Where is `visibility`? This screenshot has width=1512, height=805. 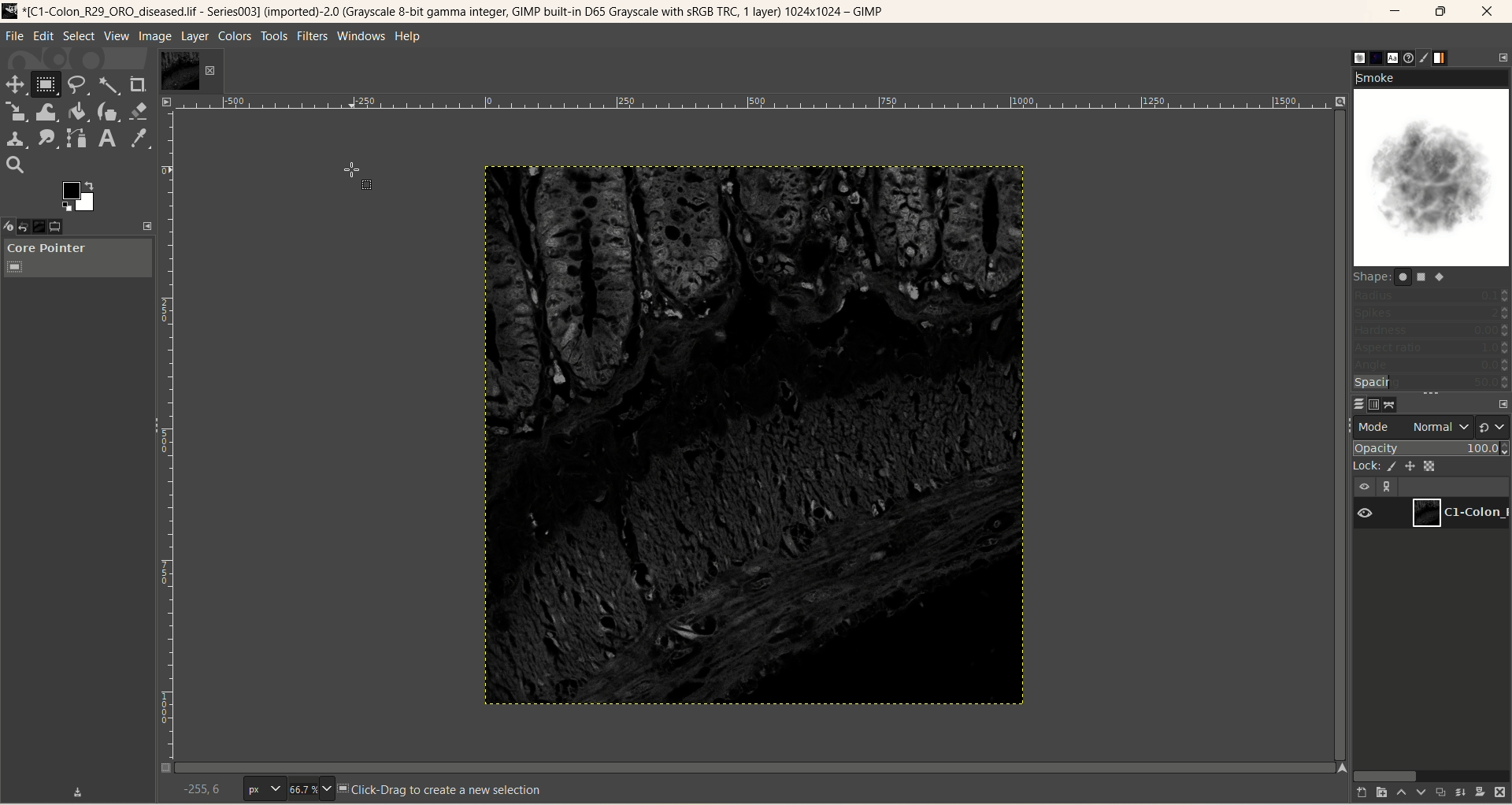 visibility is located at coordinates (1365, 488).